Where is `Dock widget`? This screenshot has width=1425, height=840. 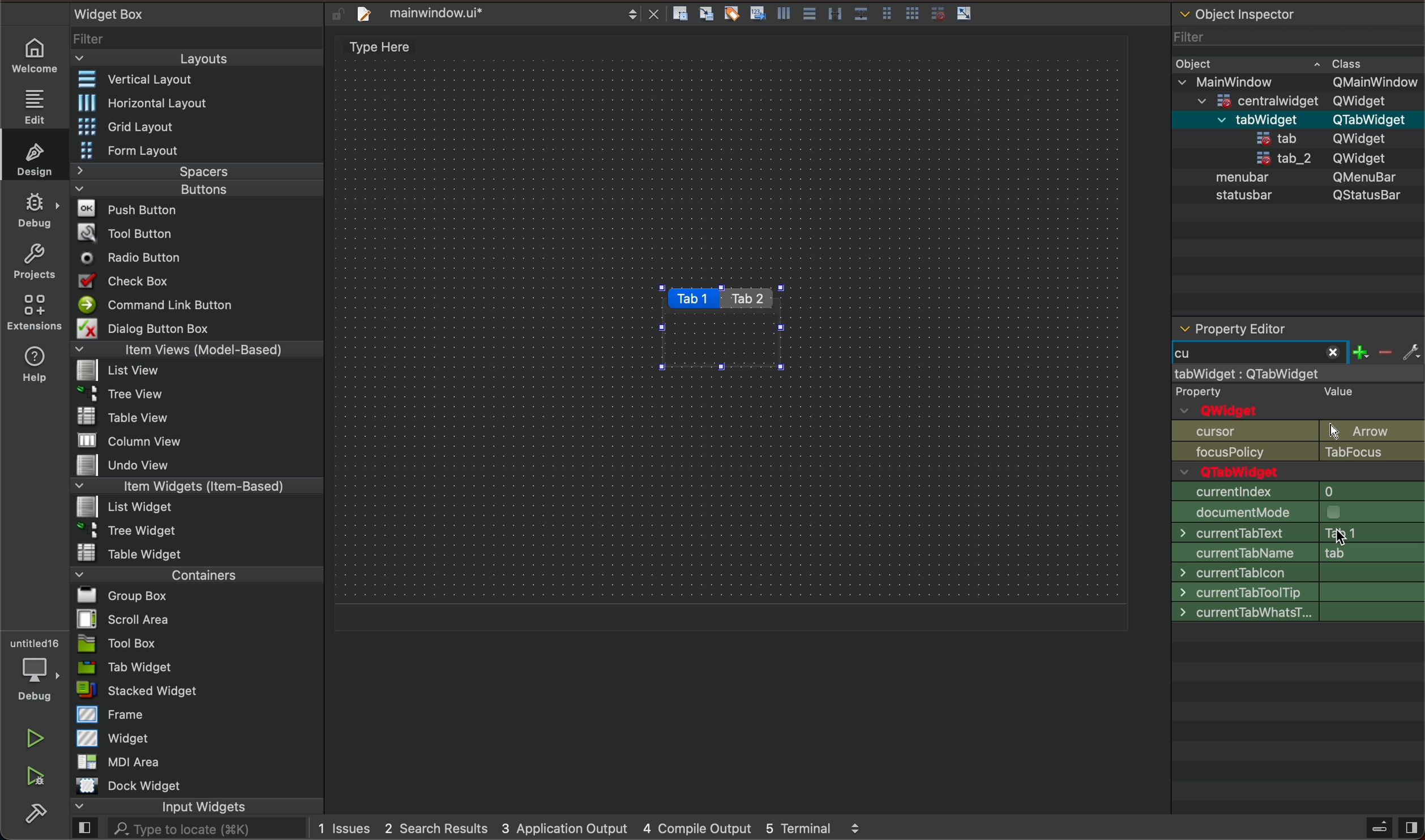 Dock widget is located at coordinates (146, 786).